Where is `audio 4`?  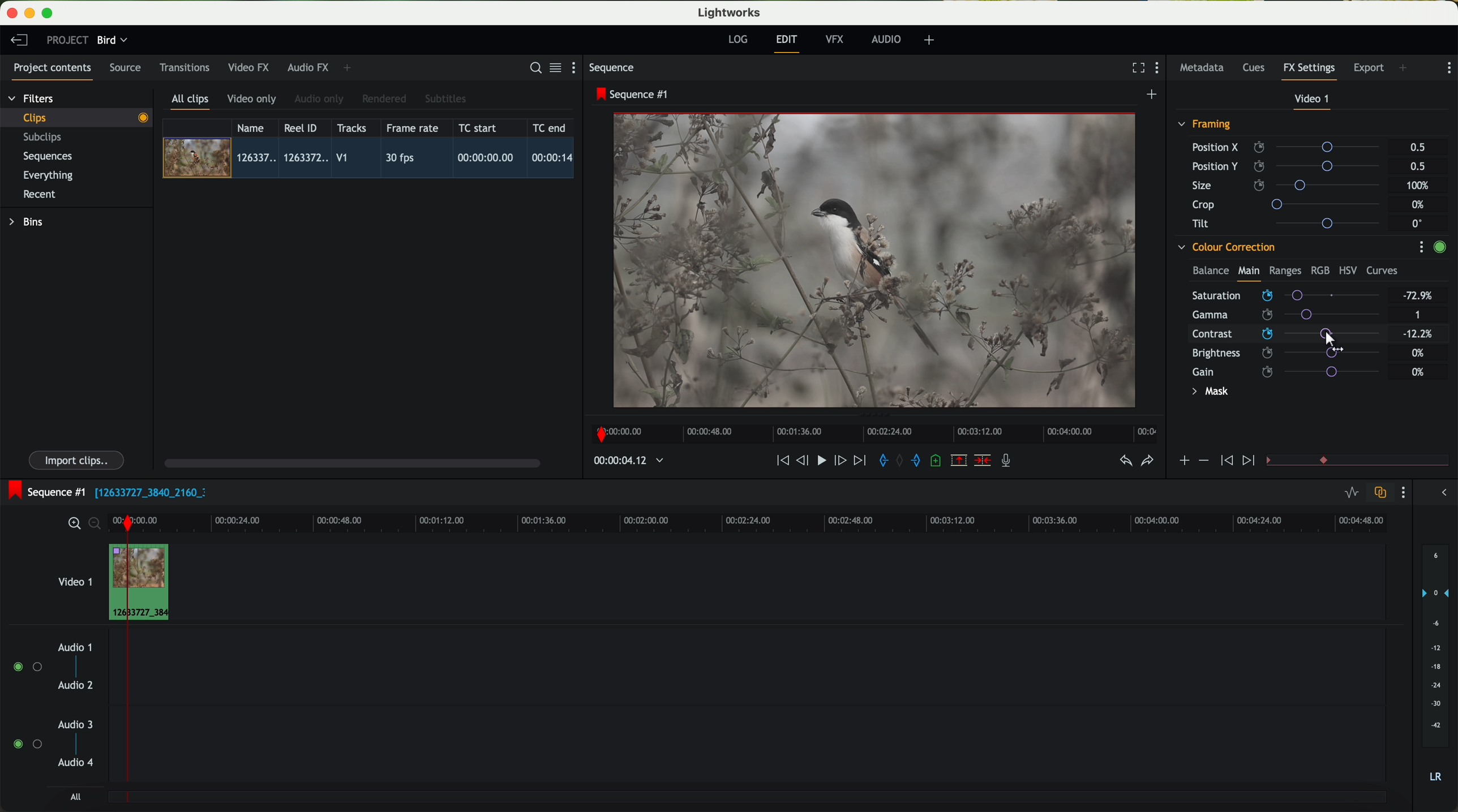 audio 4 is located at coordinates (76, 763).